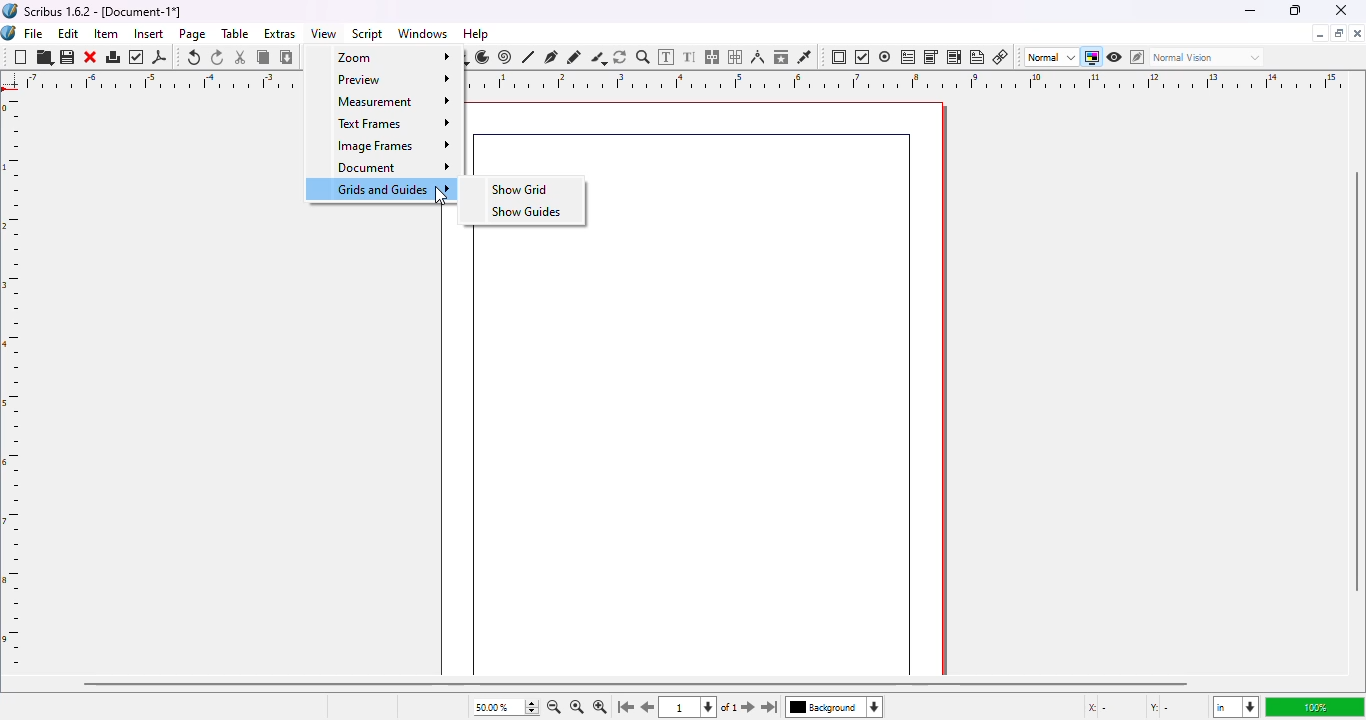 This screenshot has width=1366, height=720. I want to click on text annotation, so click(978, 57).